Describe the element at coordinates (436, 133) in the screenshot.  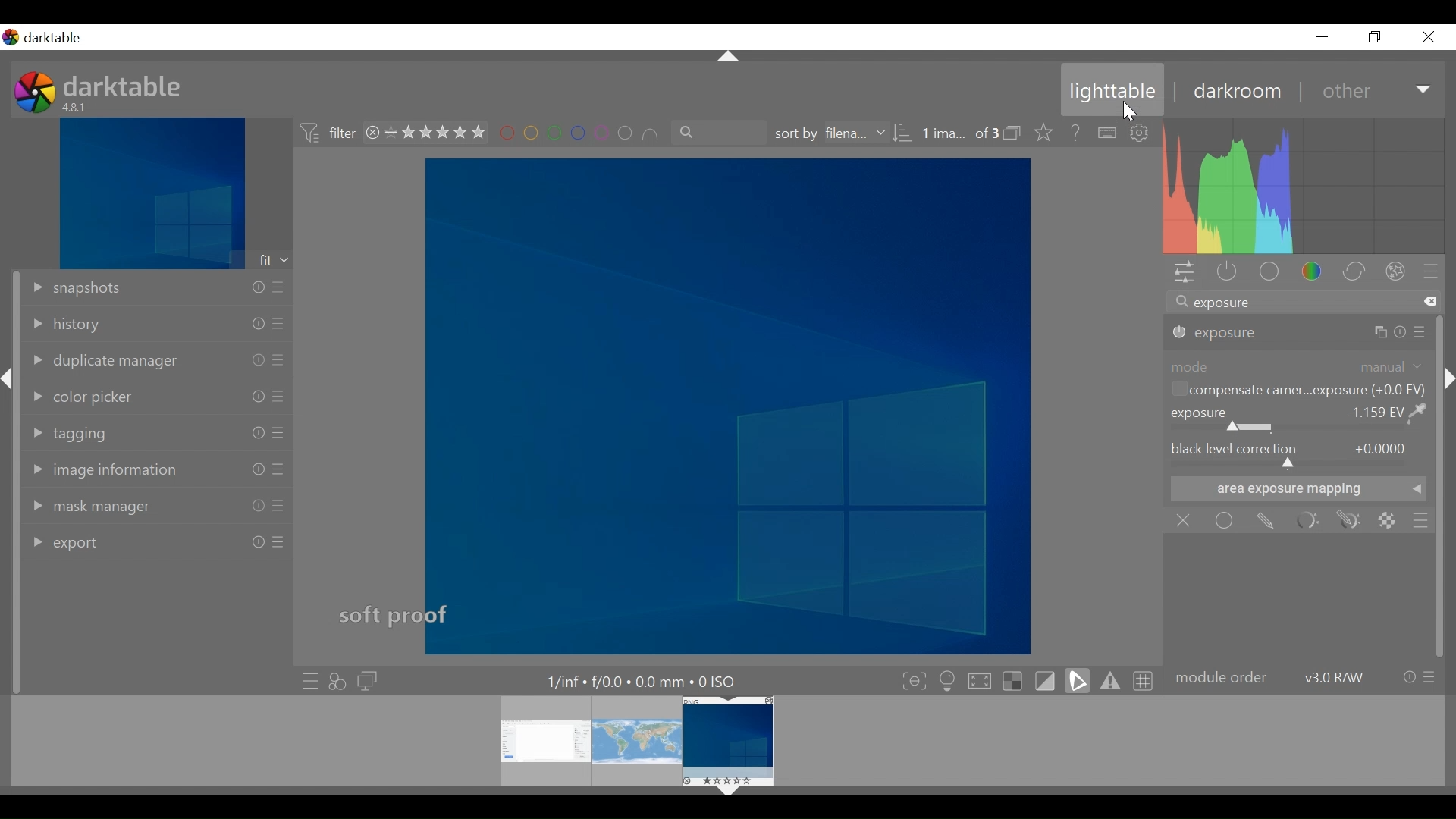
I see `range rating` at that location.